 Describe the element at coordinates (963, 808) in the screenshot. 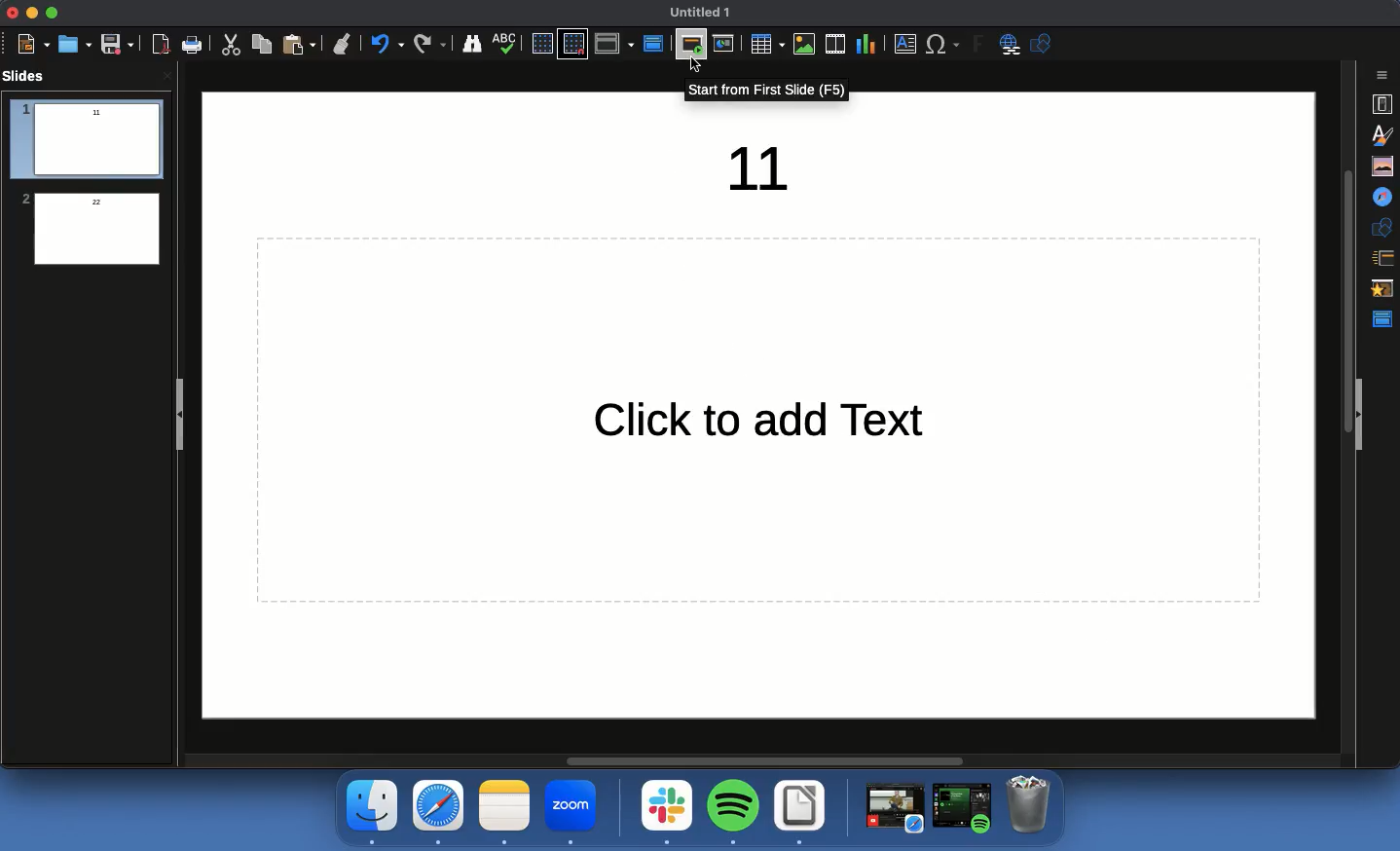

I see `Spotify window` at that location.